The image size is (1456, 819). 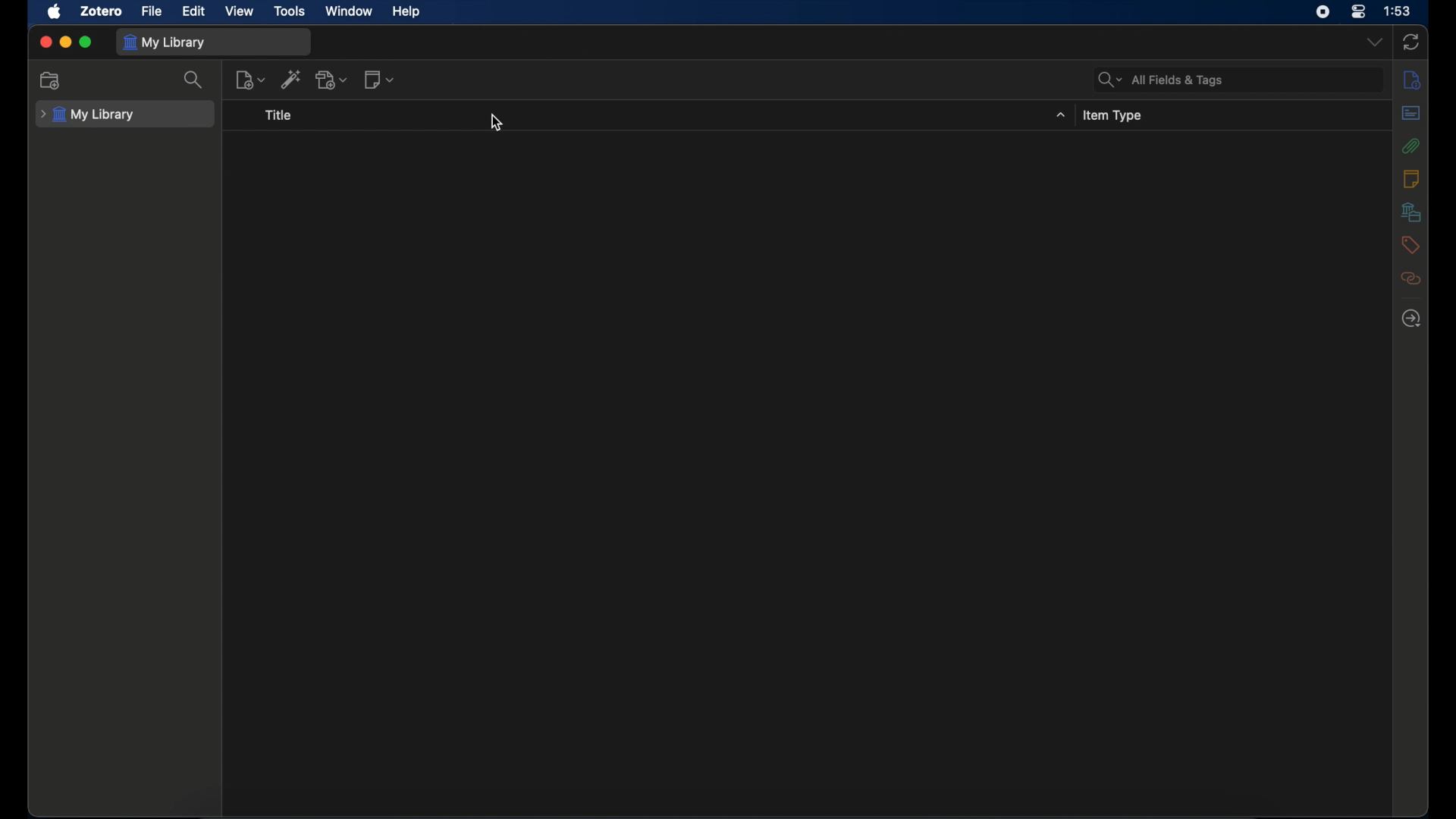 What do you see at coordinates (291, 79) in the screenshot?
I see `add item by identifier` at bounding box center [291, 79].